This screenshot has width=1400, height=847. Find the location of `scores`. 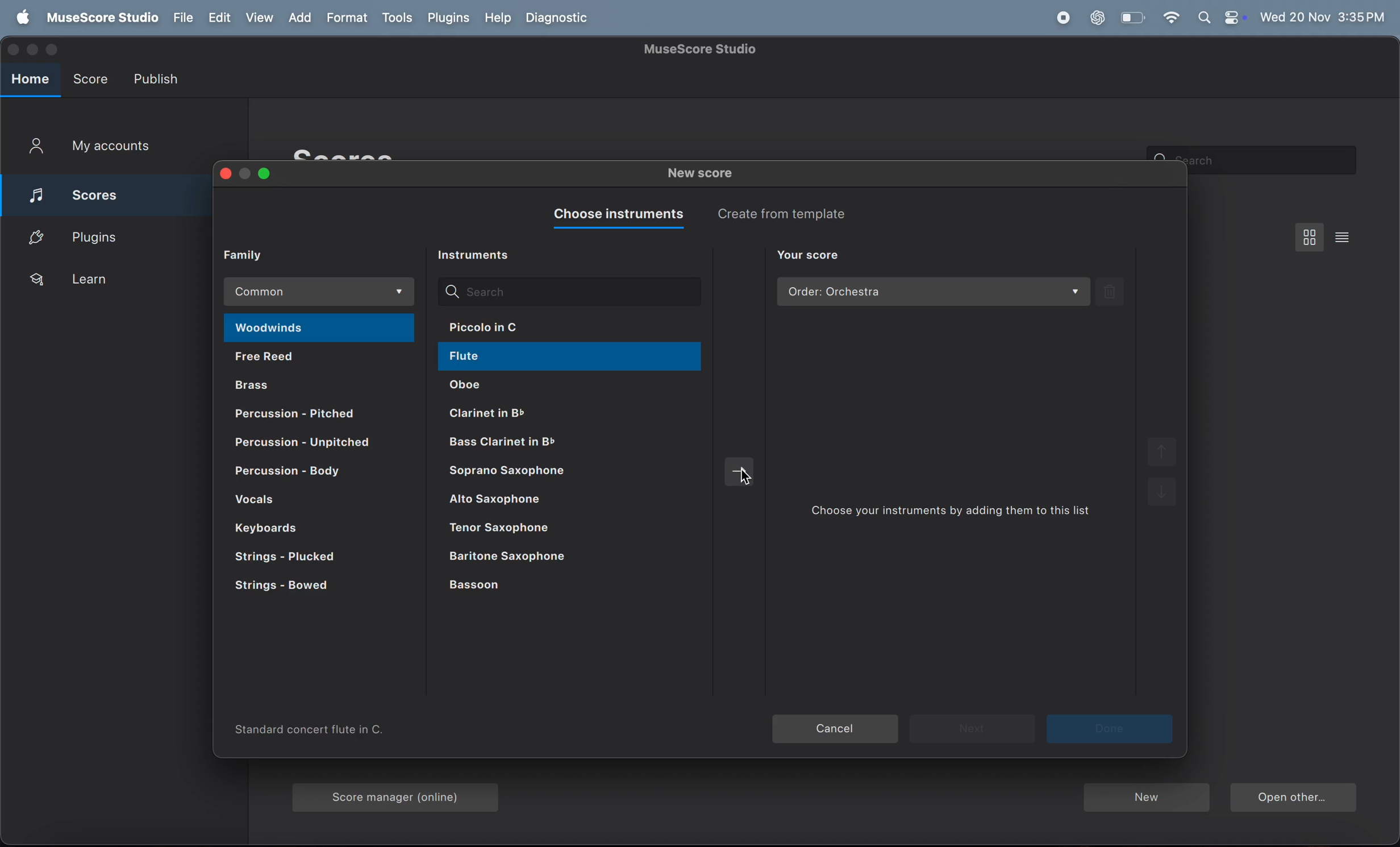

scores is located at coordinates (365, 152).